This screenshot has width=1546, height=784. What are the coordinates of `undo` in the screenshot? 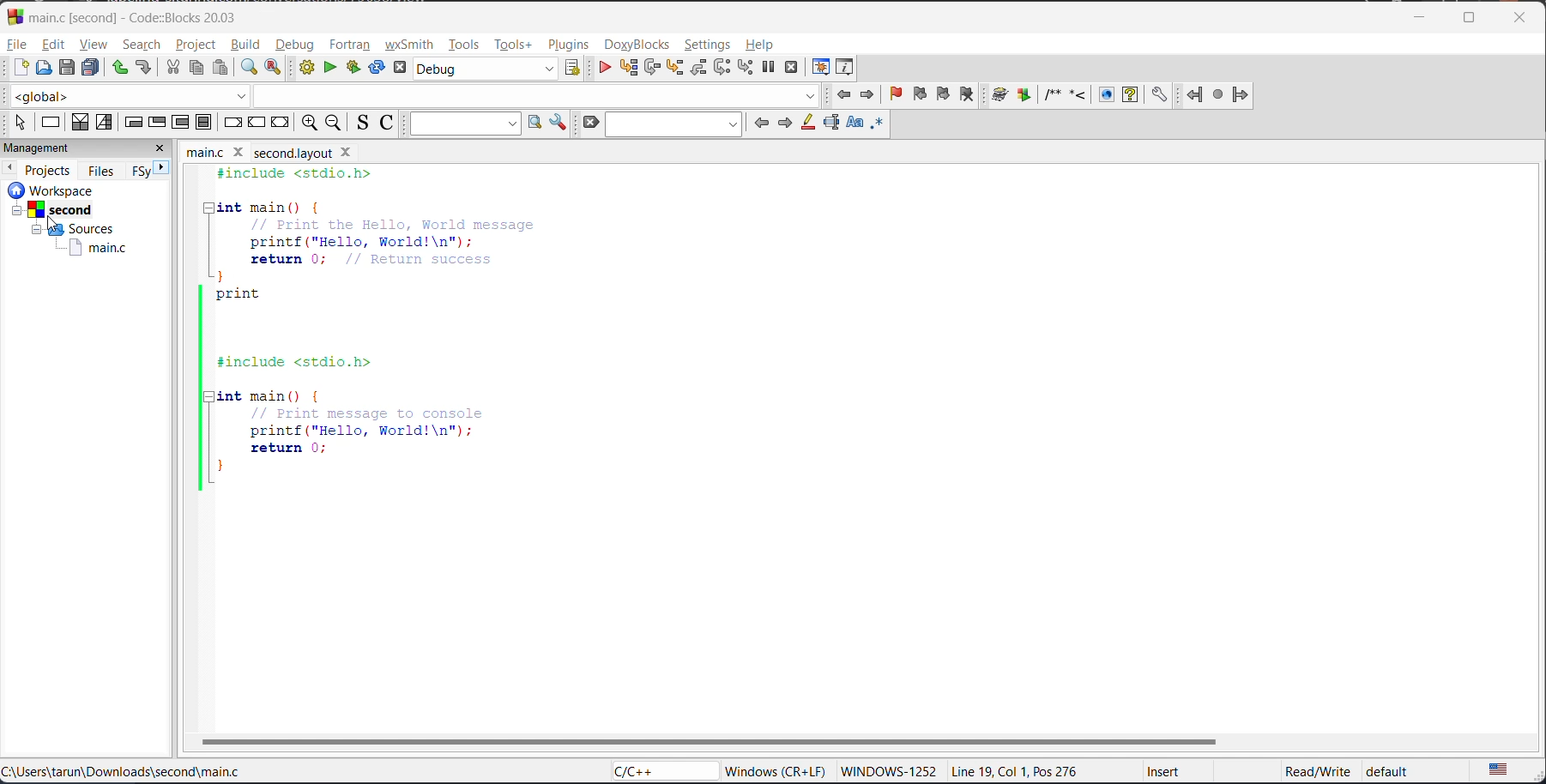 It's located at (122, 69).